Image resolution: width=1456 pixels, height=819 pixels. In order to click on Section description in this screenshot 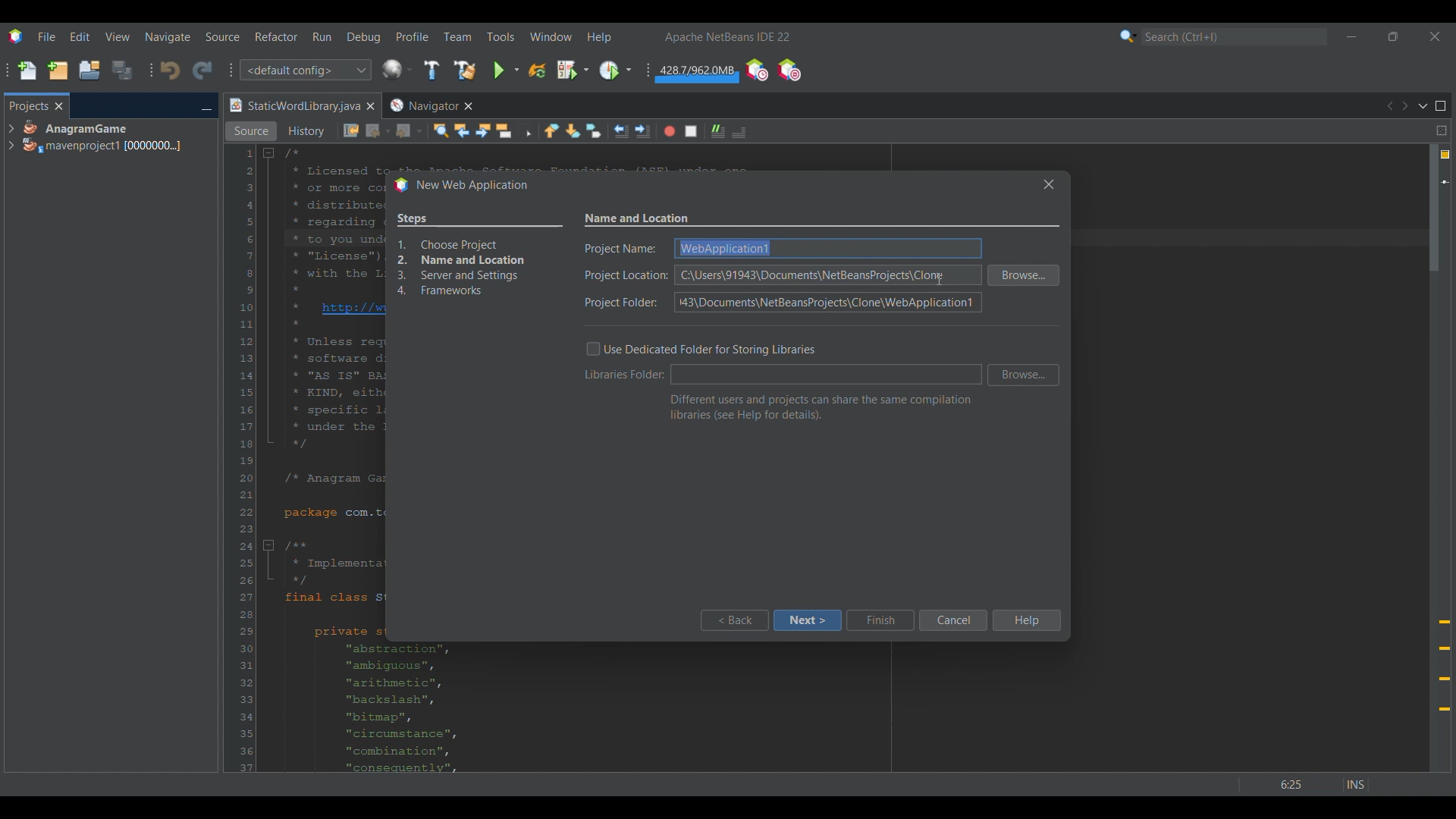, I will do `click(821, 407)`.